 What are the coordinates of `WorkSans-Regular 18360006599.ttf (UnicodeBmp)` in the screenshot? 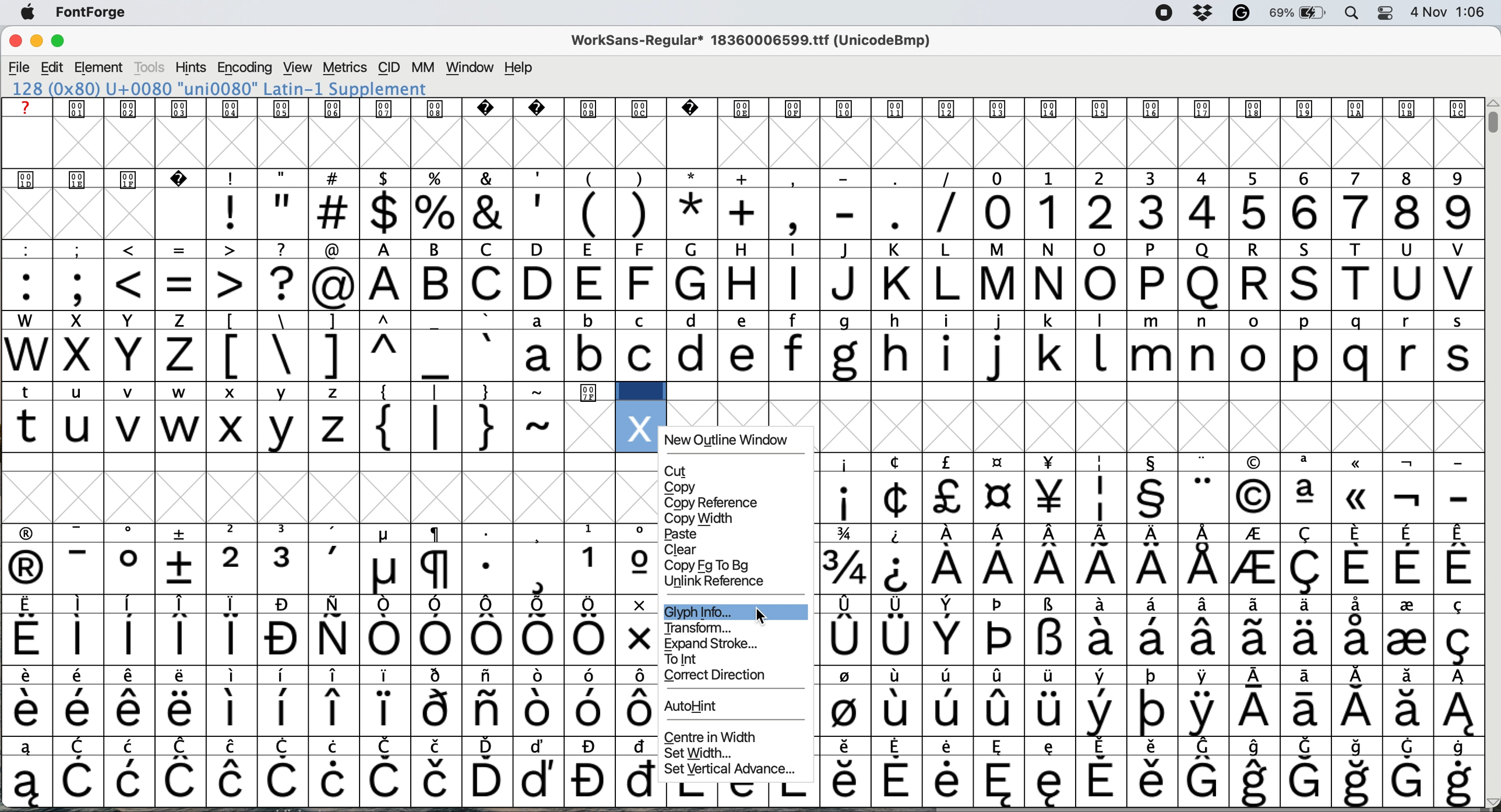 It's located at (756, 43).